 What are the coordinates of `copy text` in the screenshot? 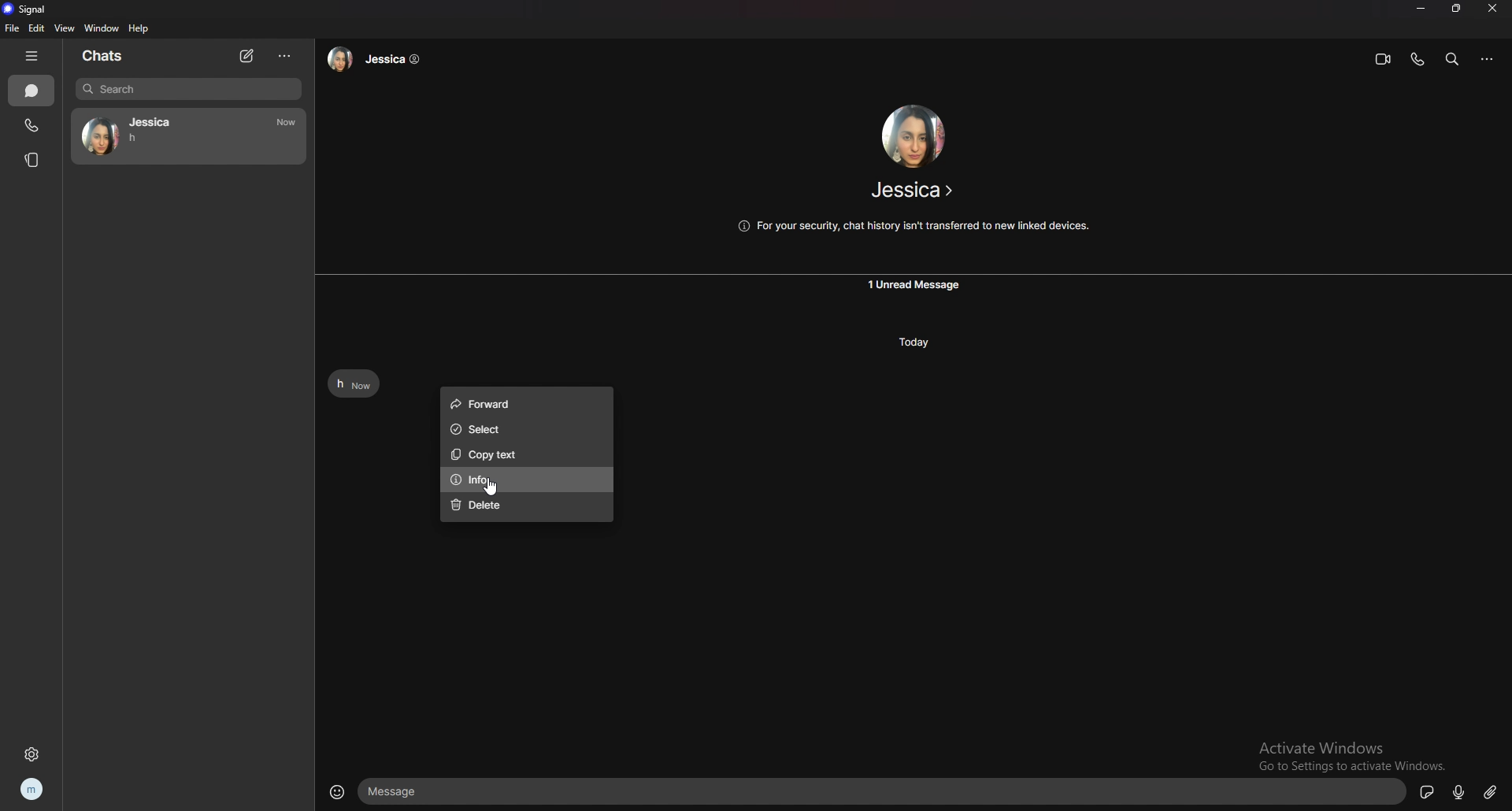 It's located at (522, 456).